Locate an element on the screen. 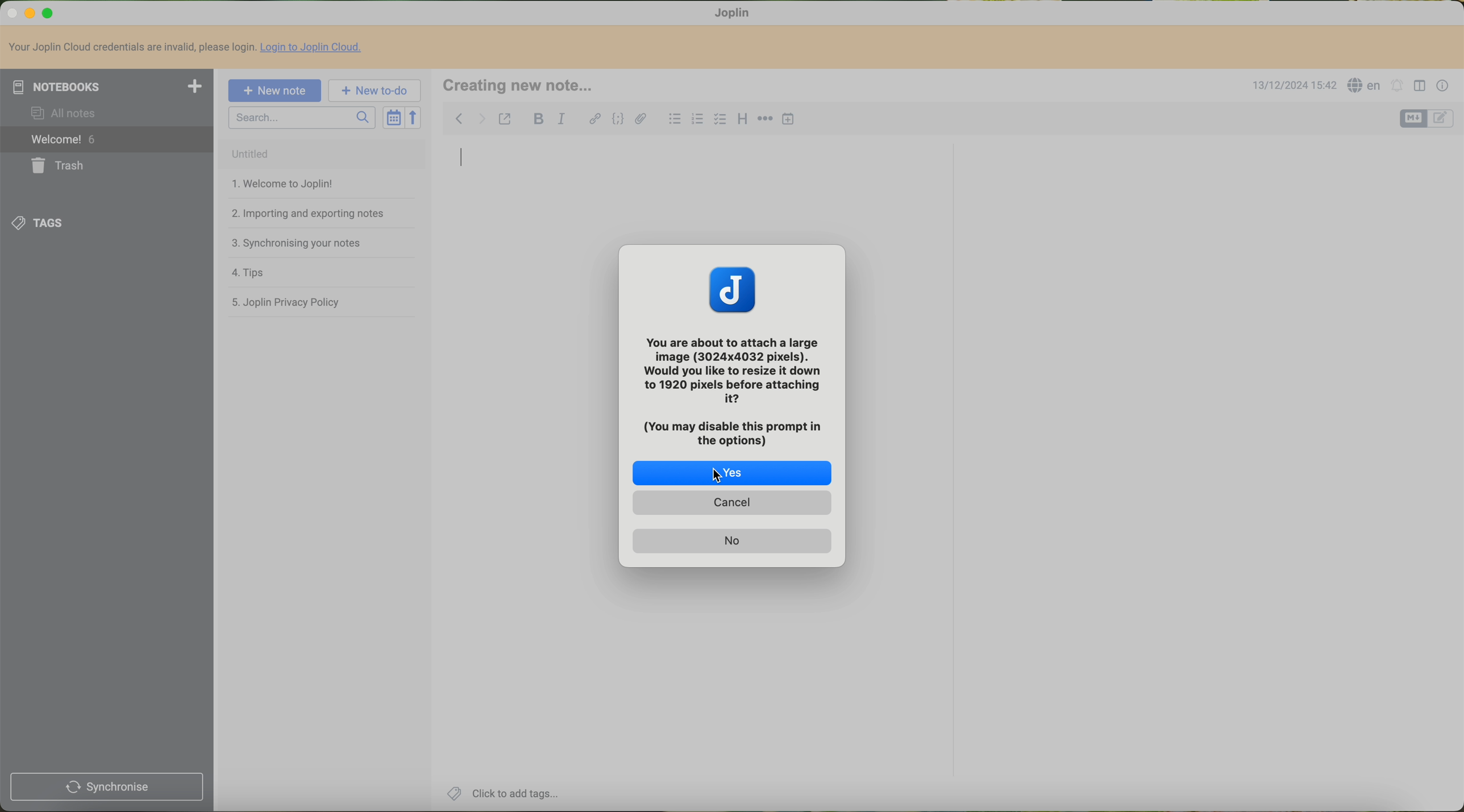 Image resolution: width=1464 pixels, height=812 pixels. bold is located at coordinates (539, 119).